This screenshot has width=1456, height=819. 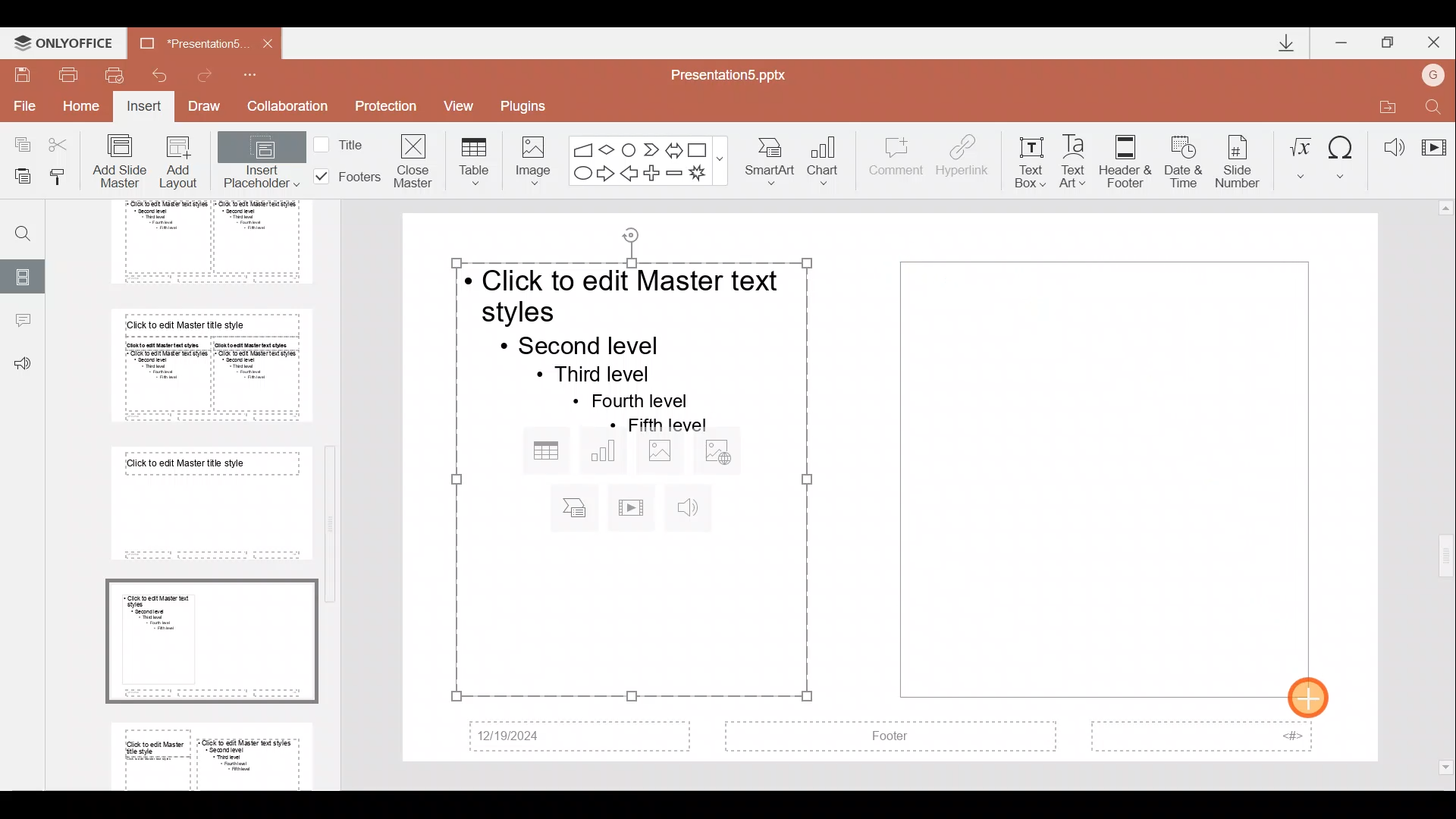 What do you see at coordinates (1388, 143) in the screenshot?
I see `Audio` at bounding box center [1388, 143].